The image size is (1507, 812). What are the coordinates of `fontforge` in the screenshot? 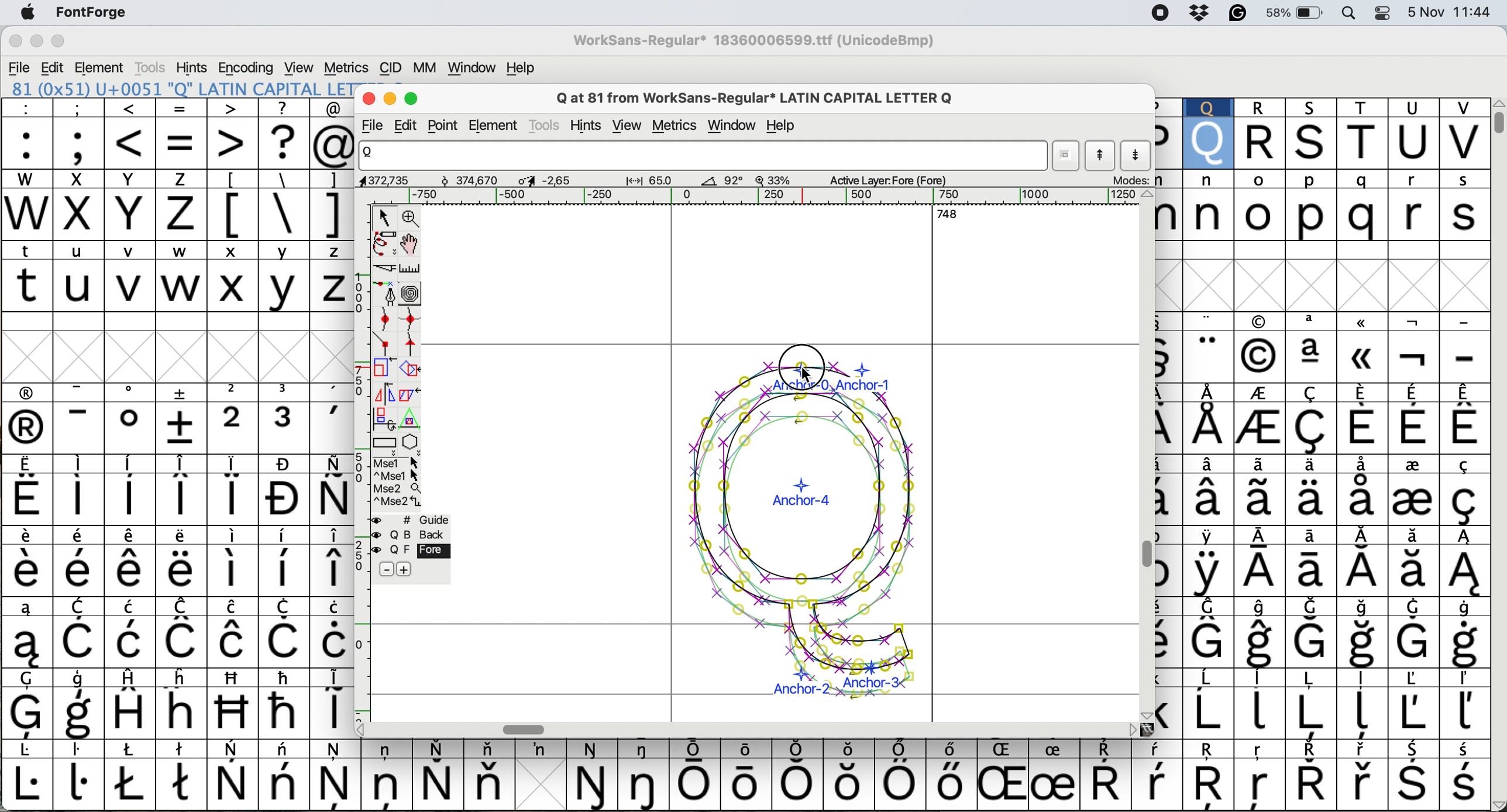 It's located at (87, 12).